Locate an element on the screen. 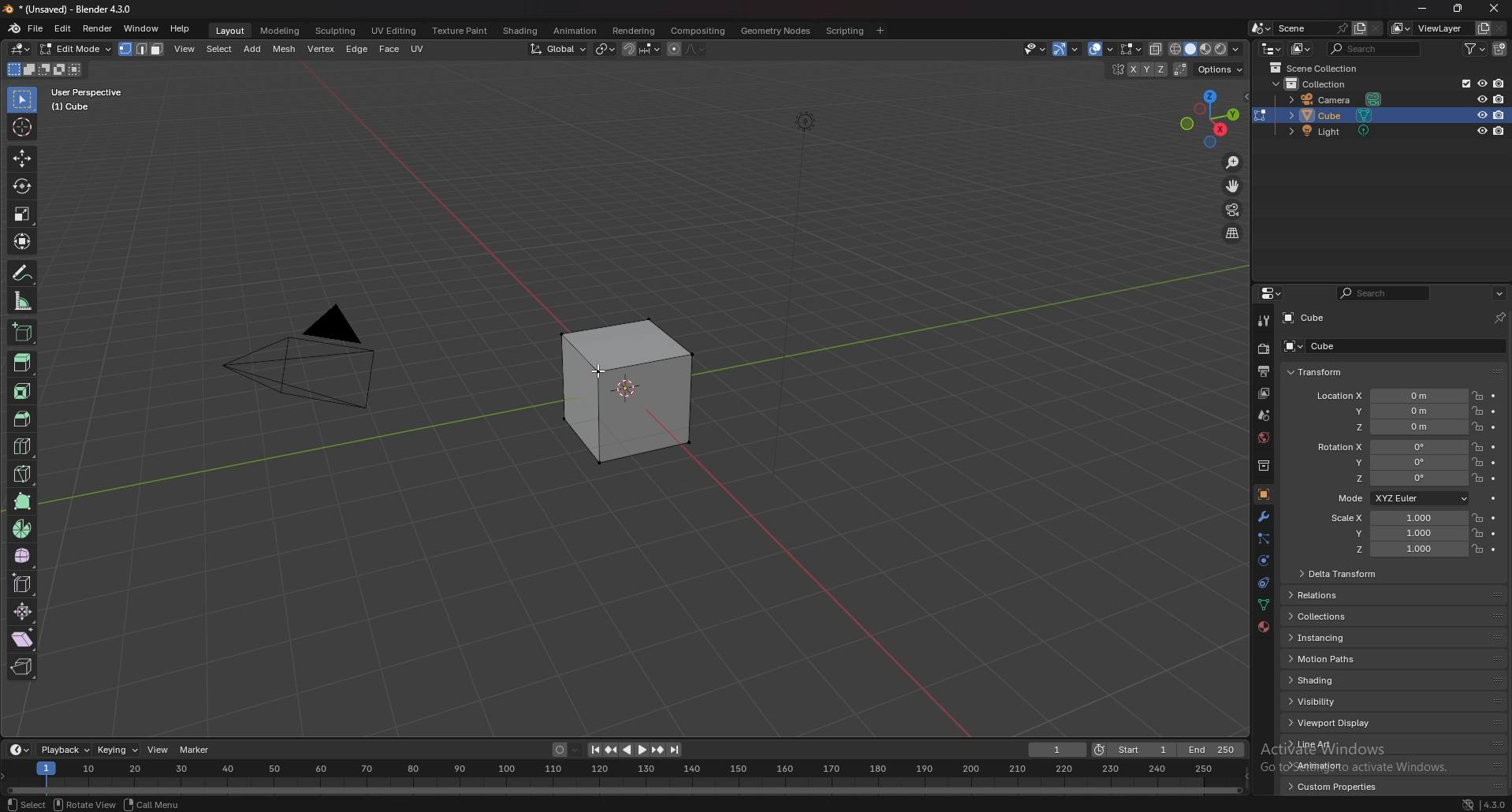 This screenshot has height=812, width=1512. editor type is located at coordinates (20, 750).